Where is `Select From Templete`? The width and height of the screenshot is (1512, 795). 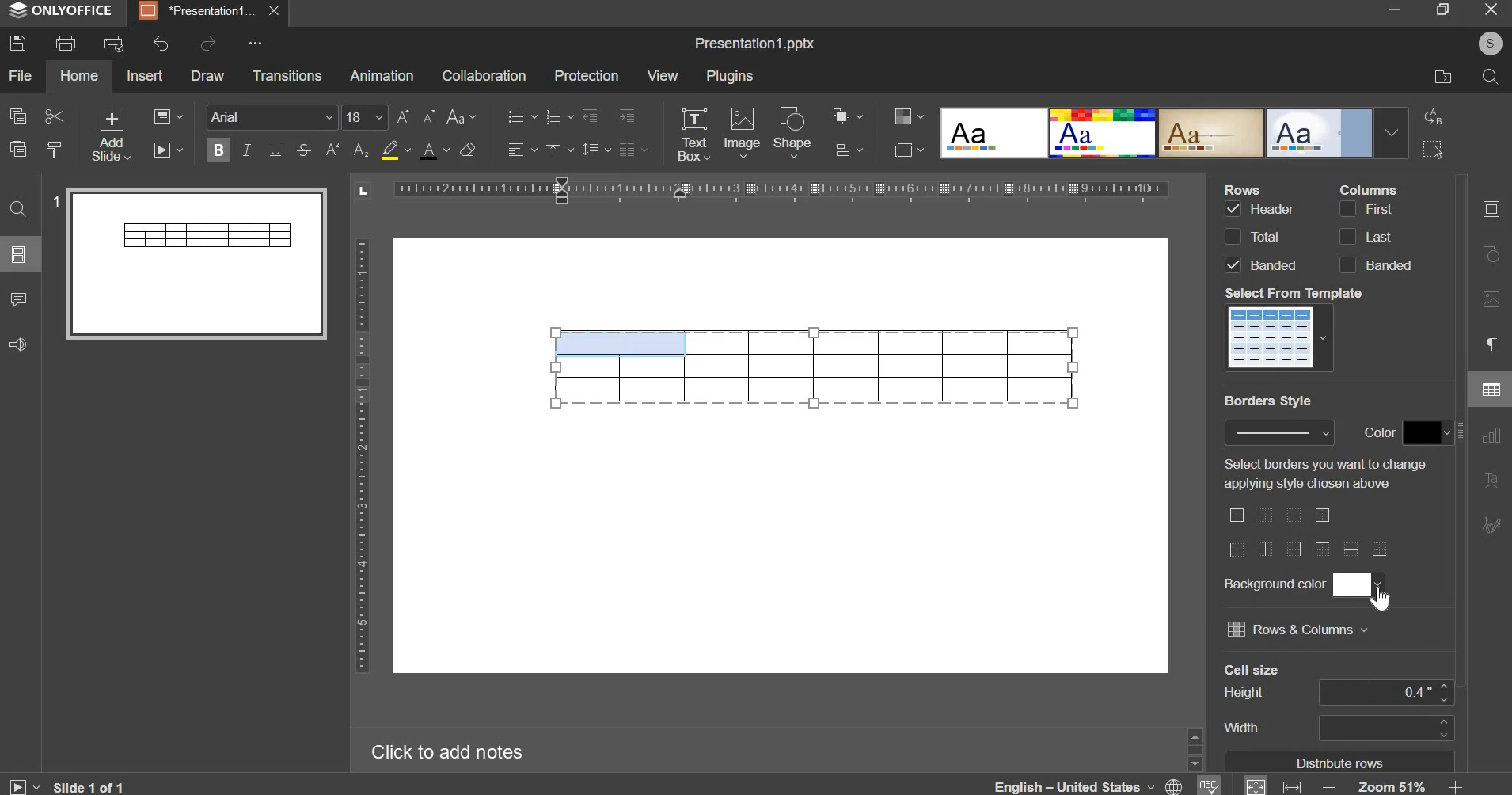 Select From Templete is located at coordinates (1296, 293).